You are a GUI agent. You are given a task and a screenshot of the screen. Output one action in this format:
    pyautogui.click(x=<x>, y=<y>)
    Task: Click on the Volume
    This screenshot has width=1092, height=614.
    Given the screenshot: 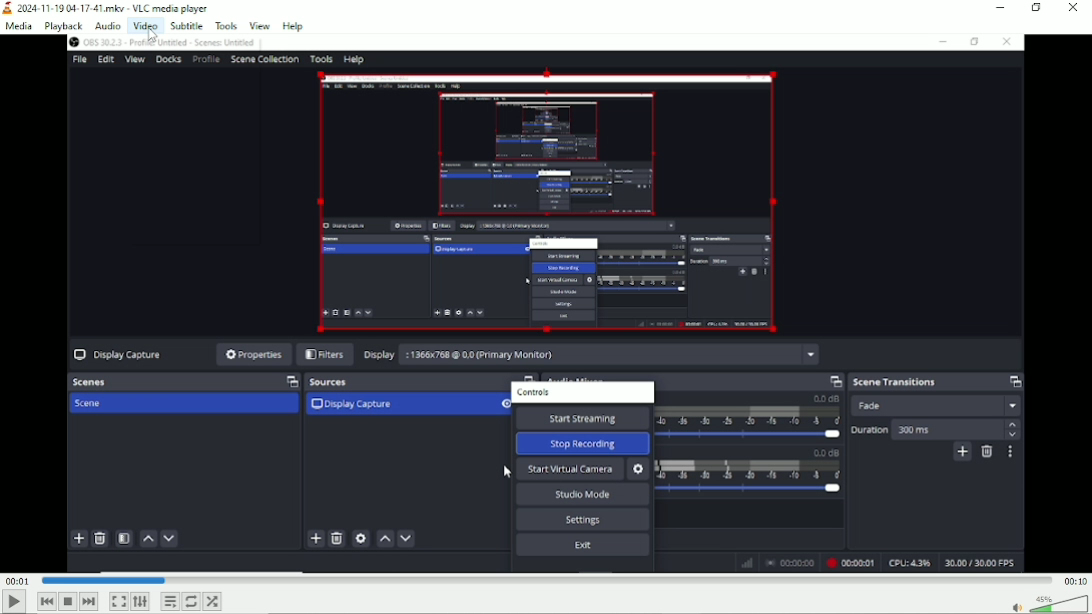 What is the action you would take?
    pyautogui.click(x=1046, y=603)
    